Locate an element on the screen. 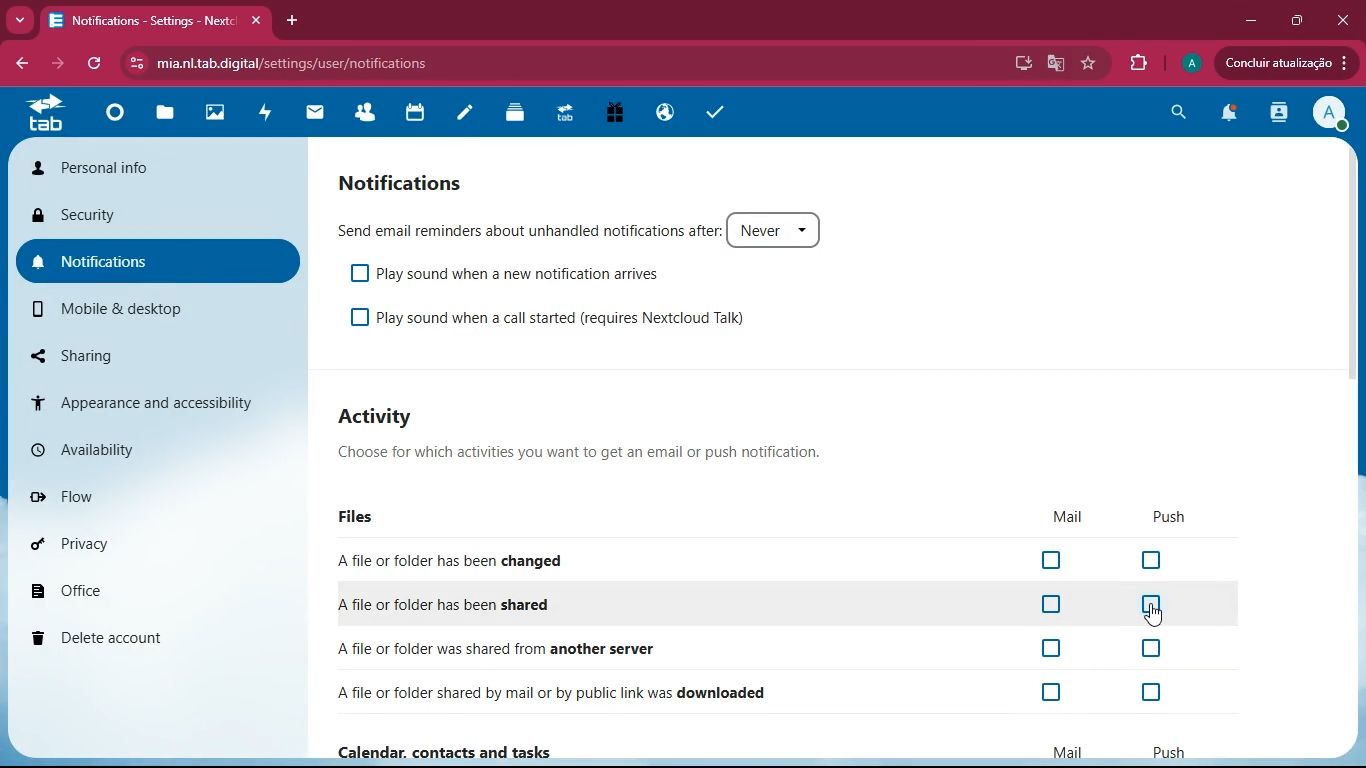 This screenshot has height=768, width=1366. mail is located at coordinates (1072, 750).